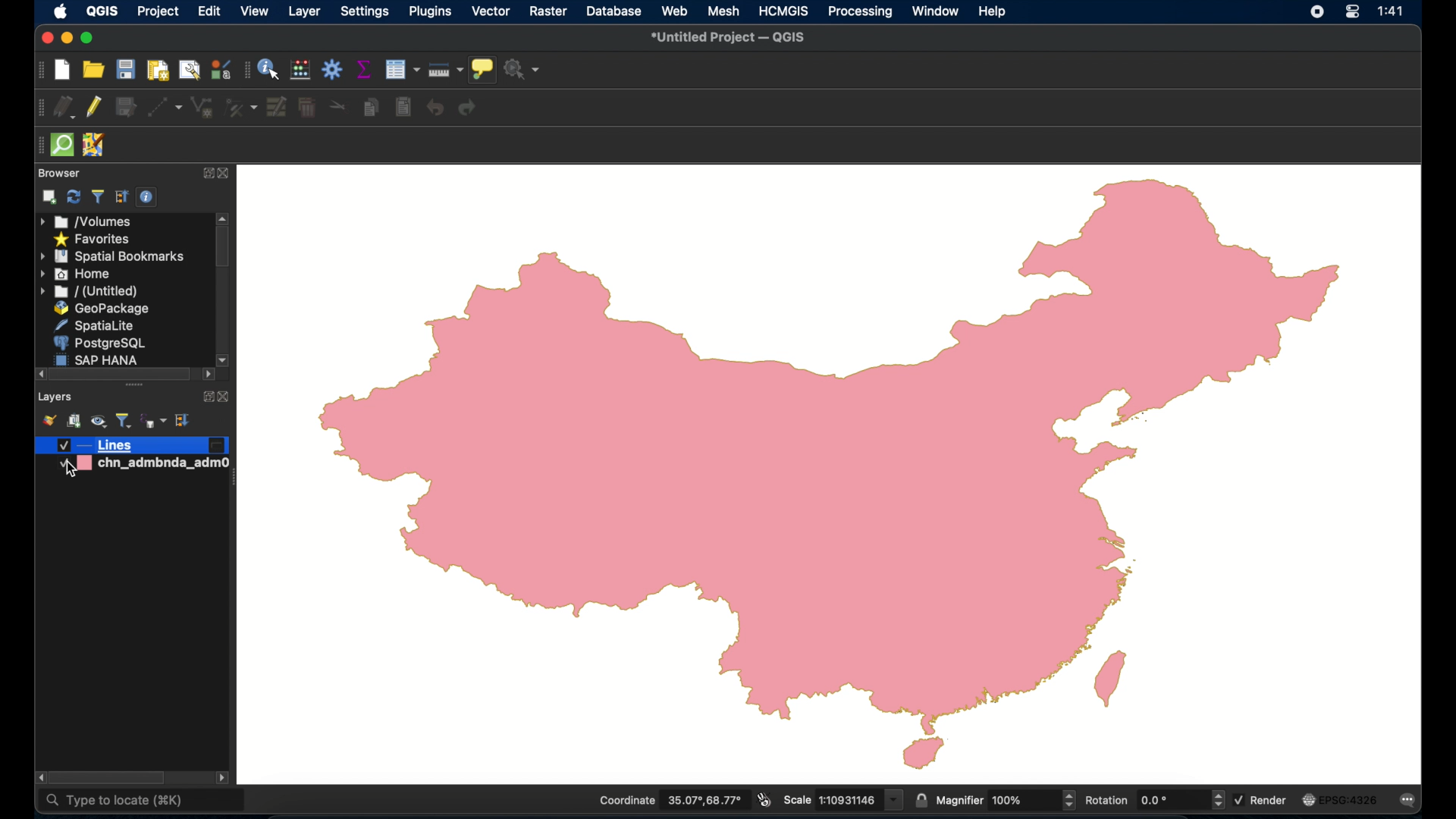  What do you see at coordinates (59, 173) in the screenshot?
I see `browser` at bounding box center [59, 173].